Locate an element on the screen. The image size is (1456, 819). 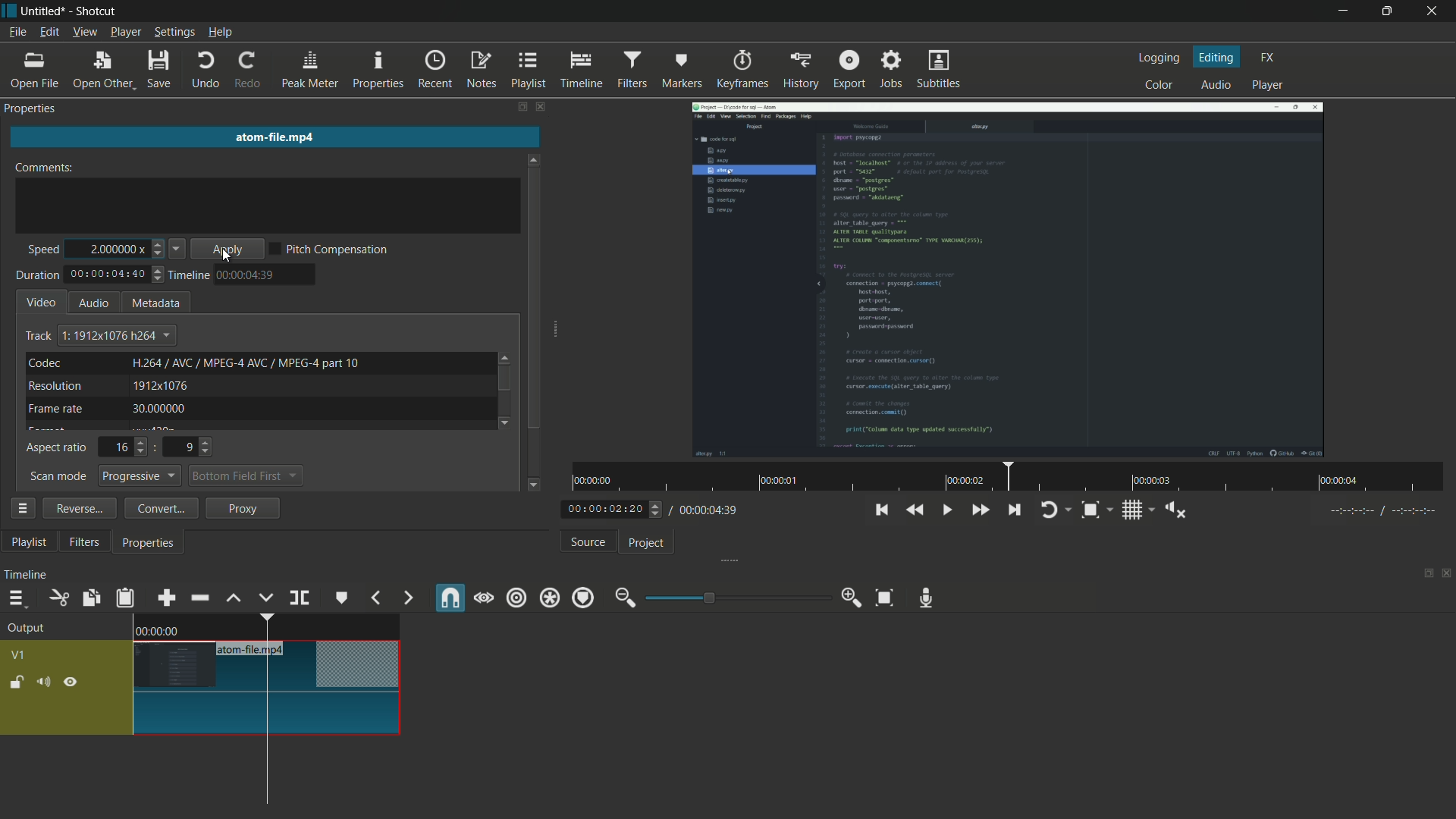
scroll bar is located at coordinates (535, 297).